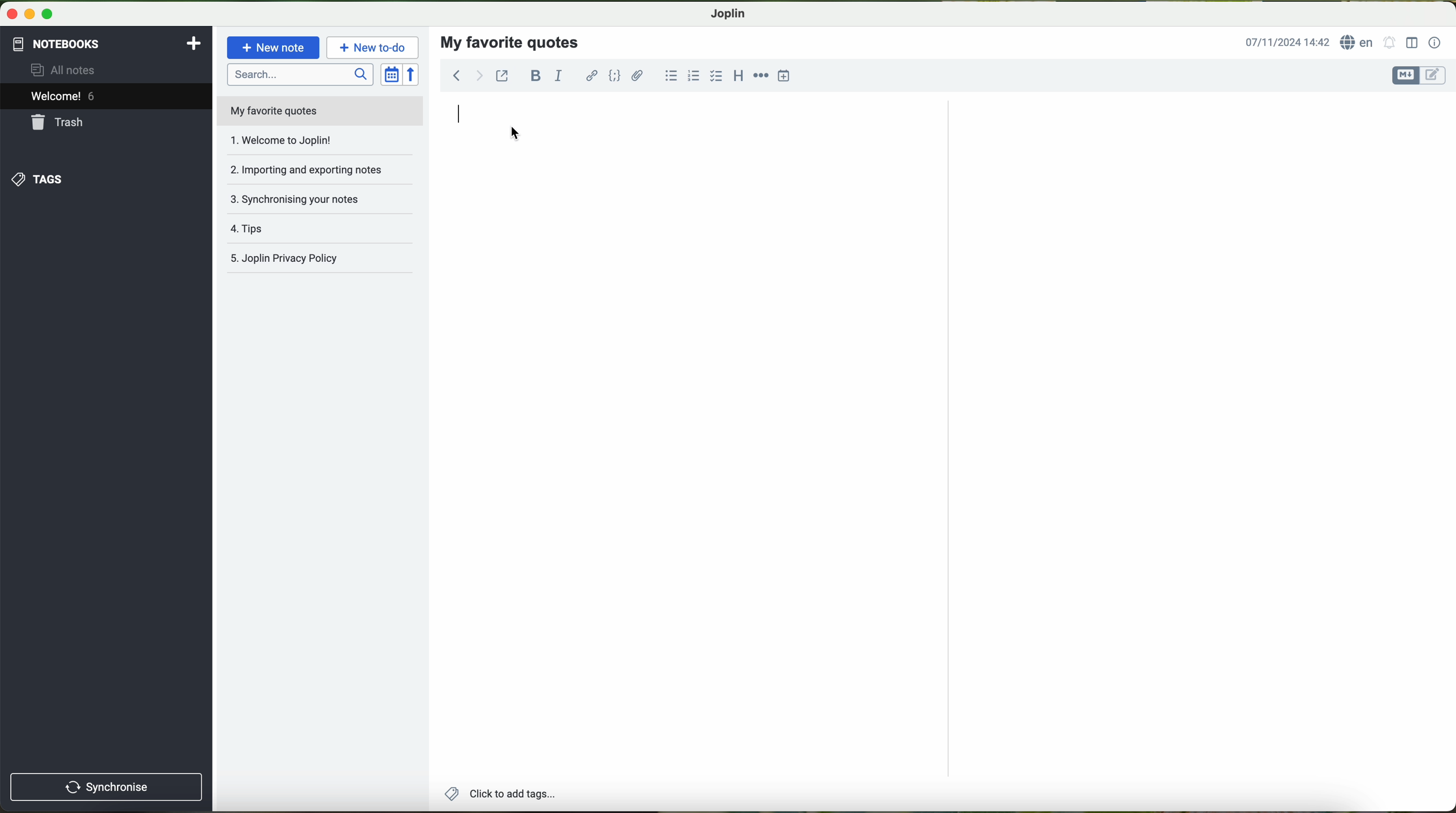 The image size is (1456, 813). Describe the element at coordinates (463, 75) in the screenshot. I see `navigation arrows` at that location.